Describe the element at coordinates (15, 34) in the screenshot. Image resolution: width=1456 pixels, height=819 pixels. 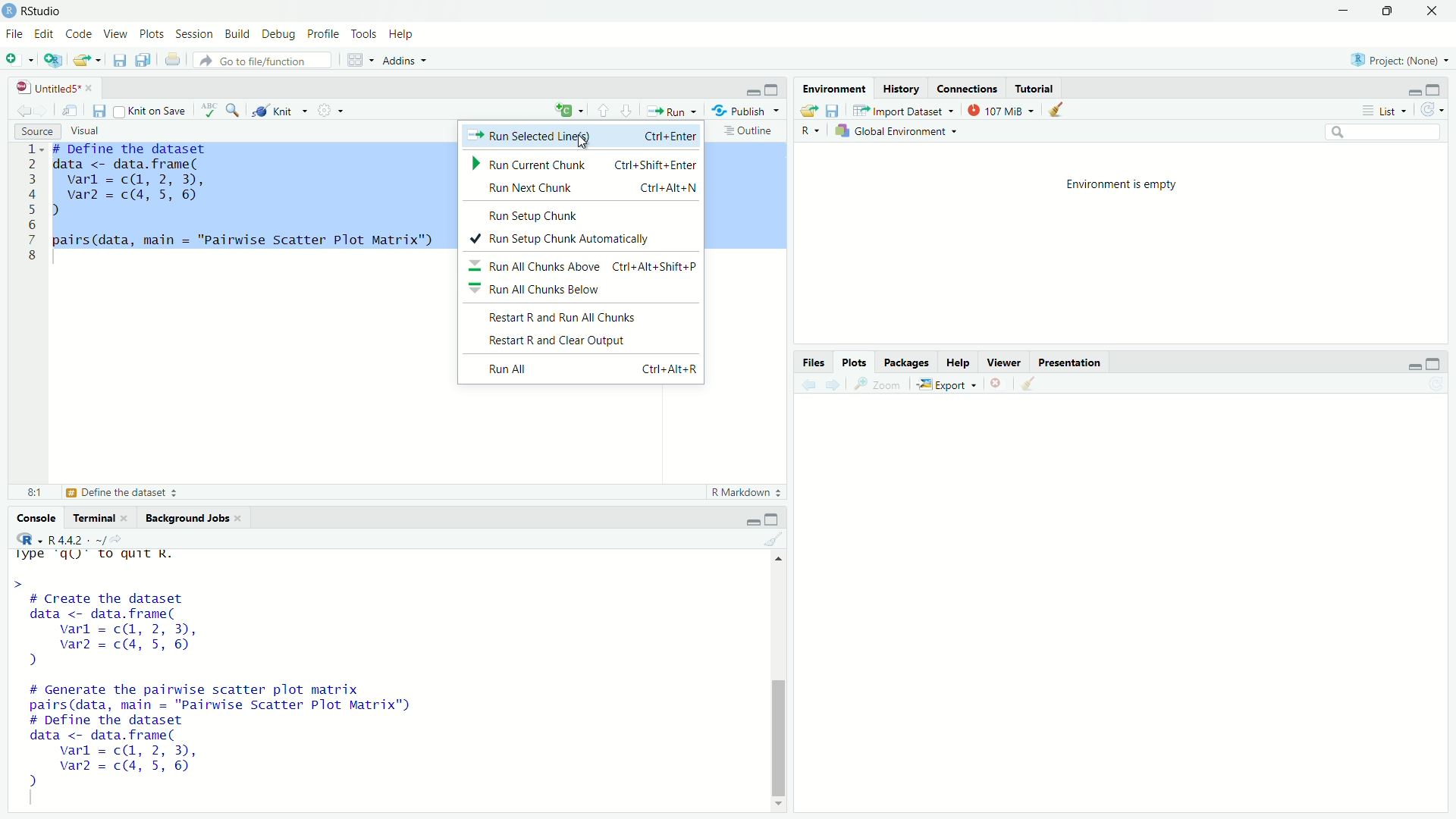
I see `File` at that location.